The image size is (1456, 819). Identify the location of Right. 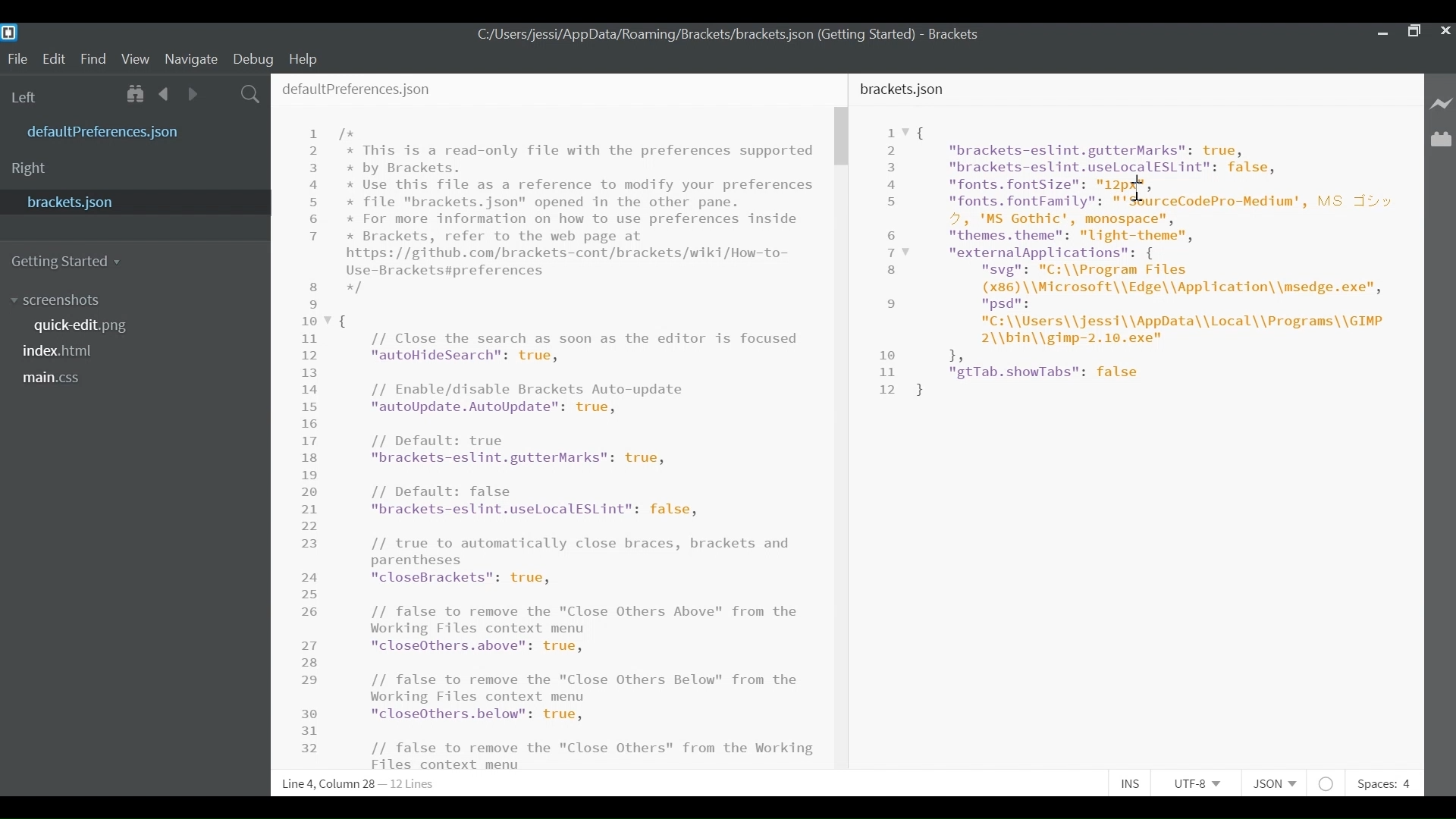
(30, 168).